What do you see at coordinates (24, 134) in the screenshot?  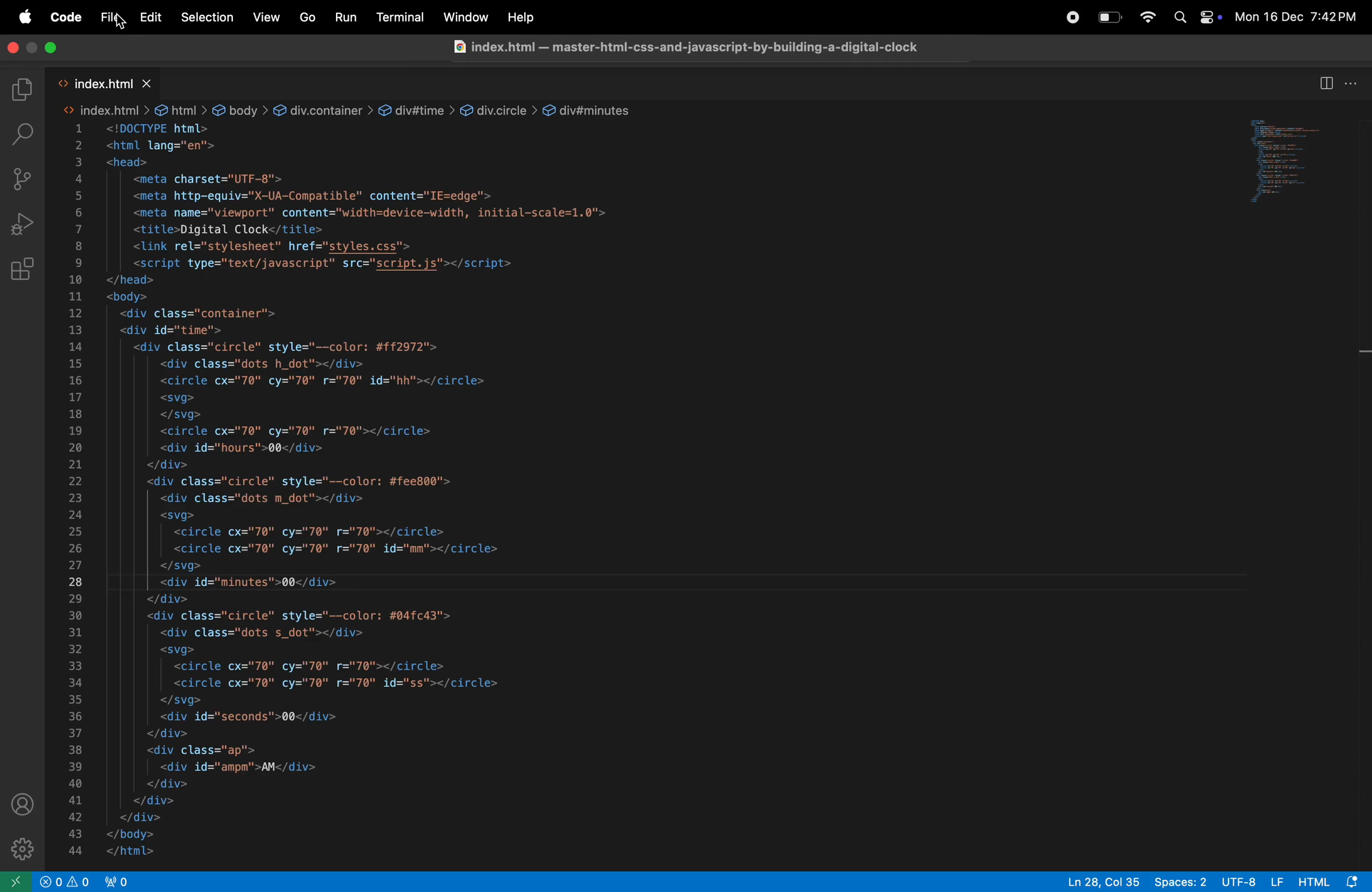 I see `serach` at bounding box center [24, 134].